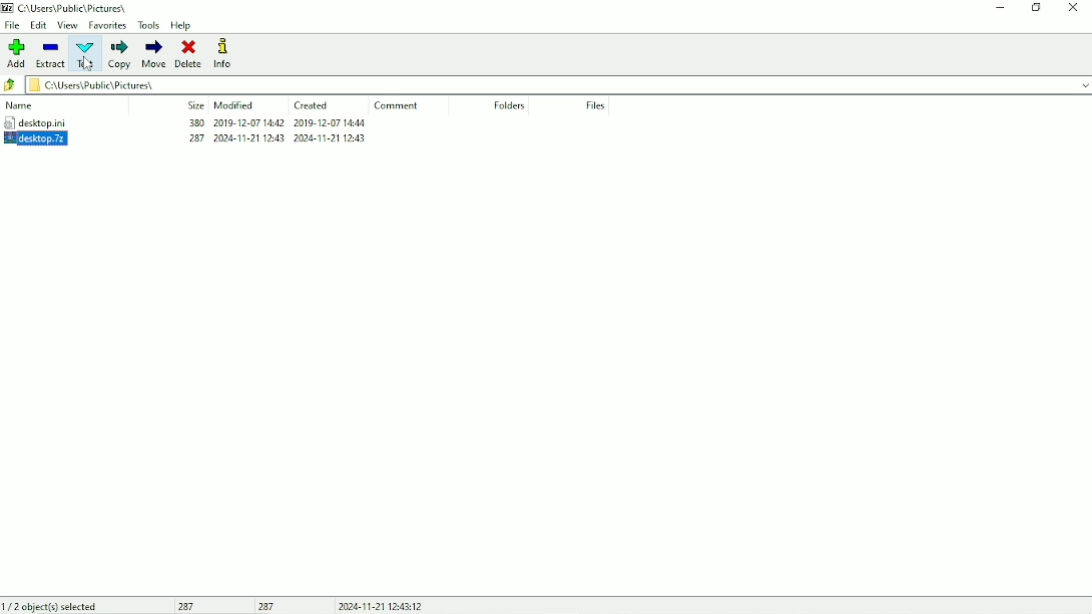 This screenshot has width=1092, height=614. I want to click on c\Users\Public\Pictures\, so click(559, 86).